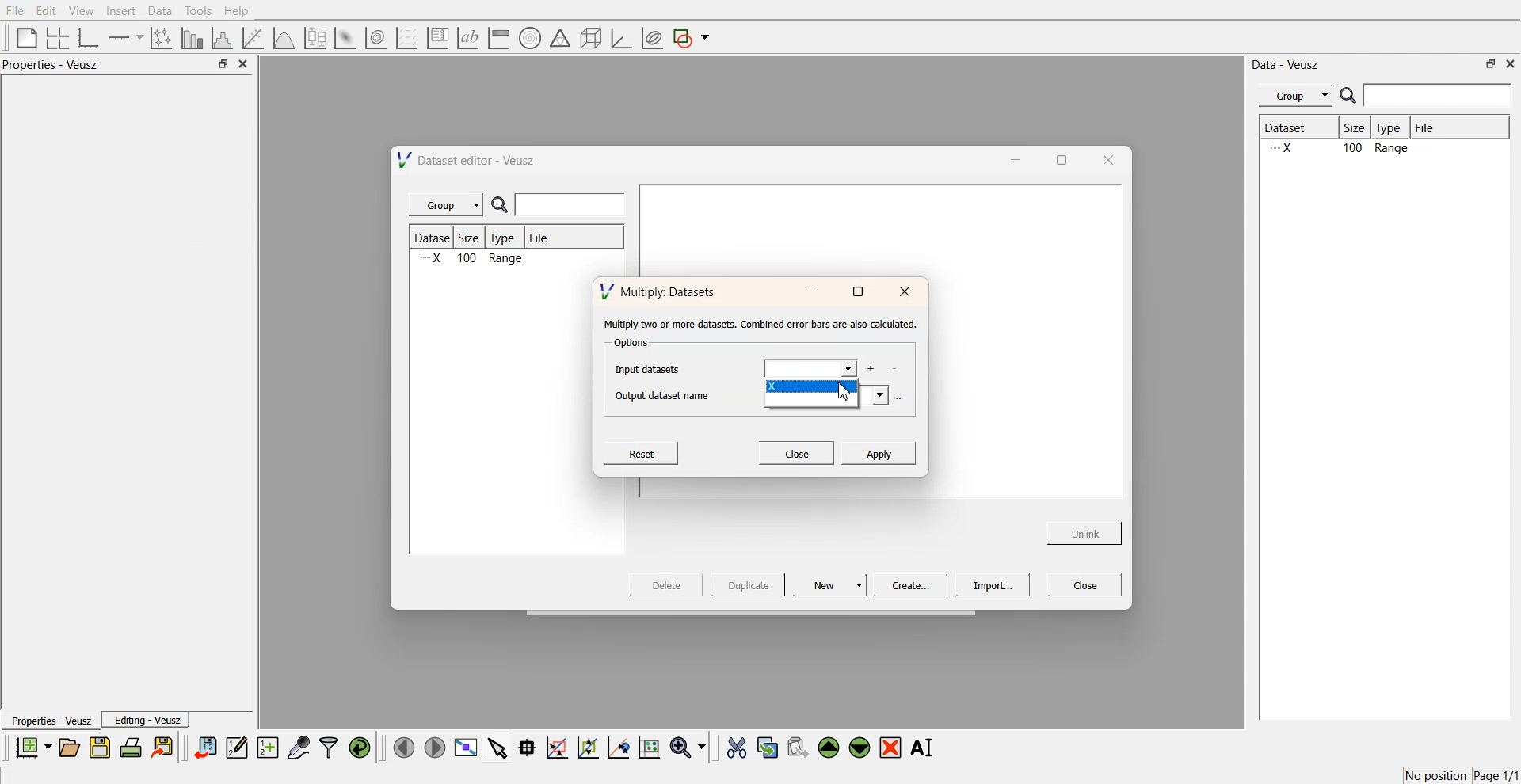 This screenshot has height=784, width=1521. Describe the element at coordinates (860, 746) in the screenshot. I see `move  the selected widgets down` at that location.